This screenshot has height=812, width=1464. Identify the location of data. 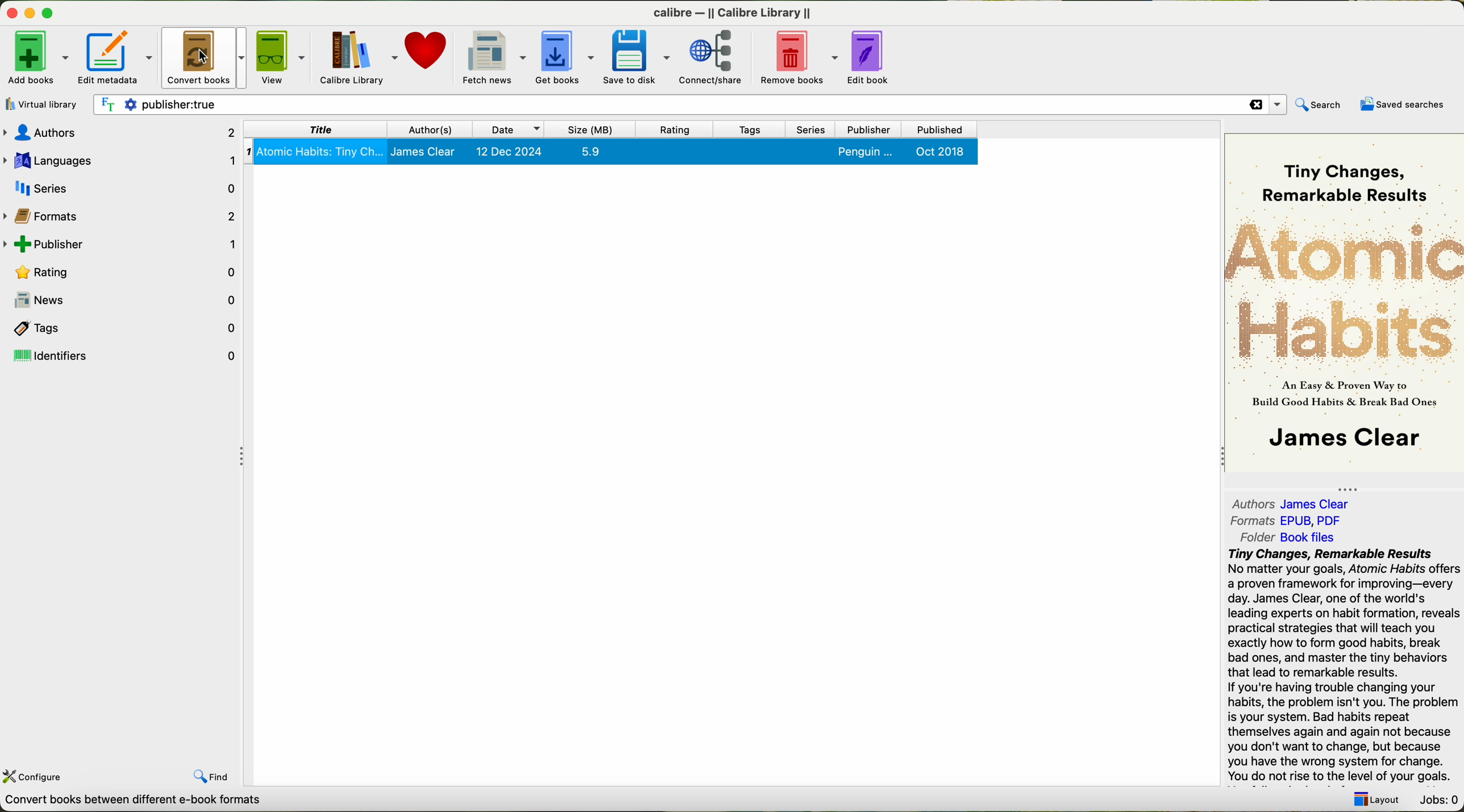
(139, 802).